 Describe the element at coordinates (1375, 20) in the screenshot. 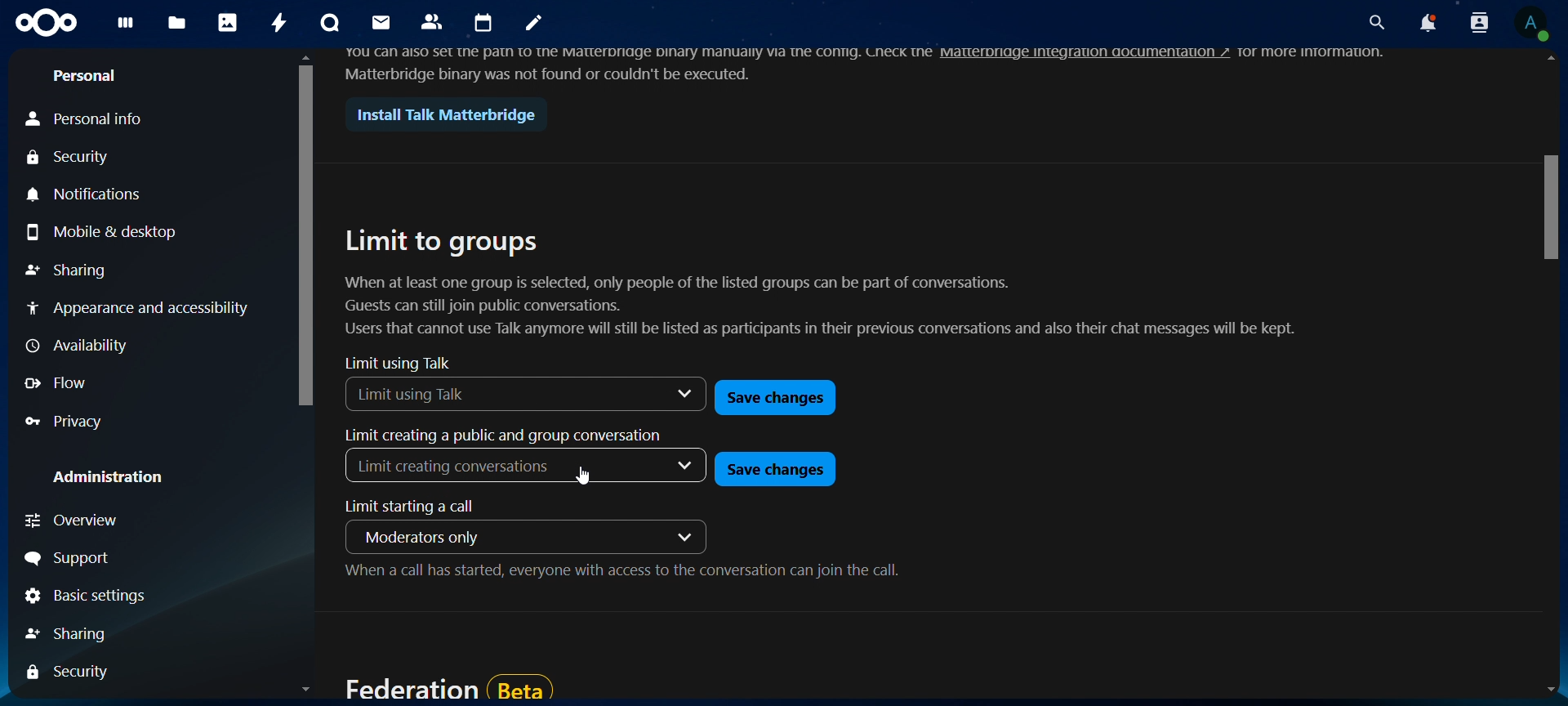

I see `search` at that location.